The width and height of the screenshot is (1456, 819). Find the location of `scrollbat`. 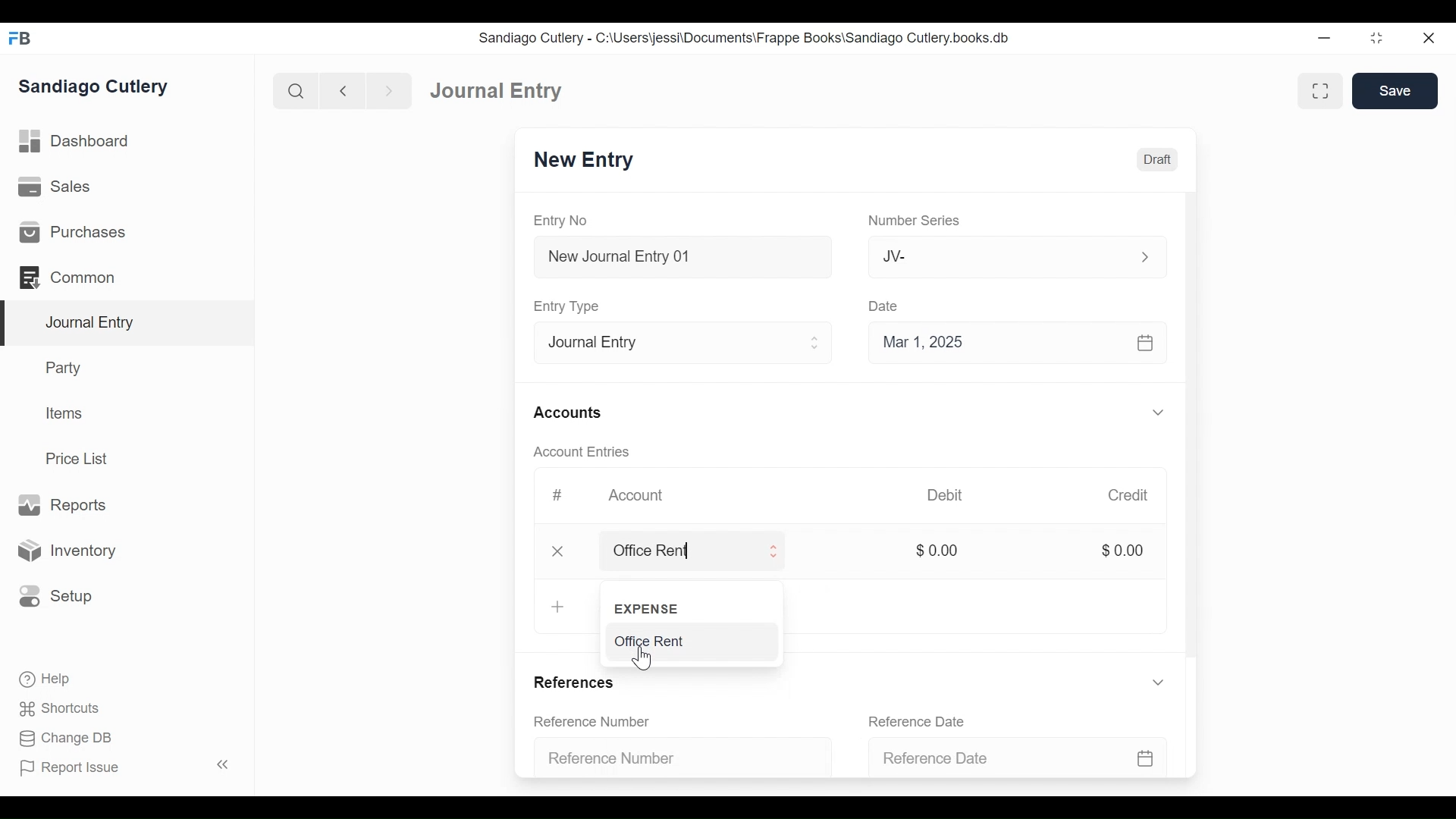

scrollbat is located at coordinates (1191, 428).